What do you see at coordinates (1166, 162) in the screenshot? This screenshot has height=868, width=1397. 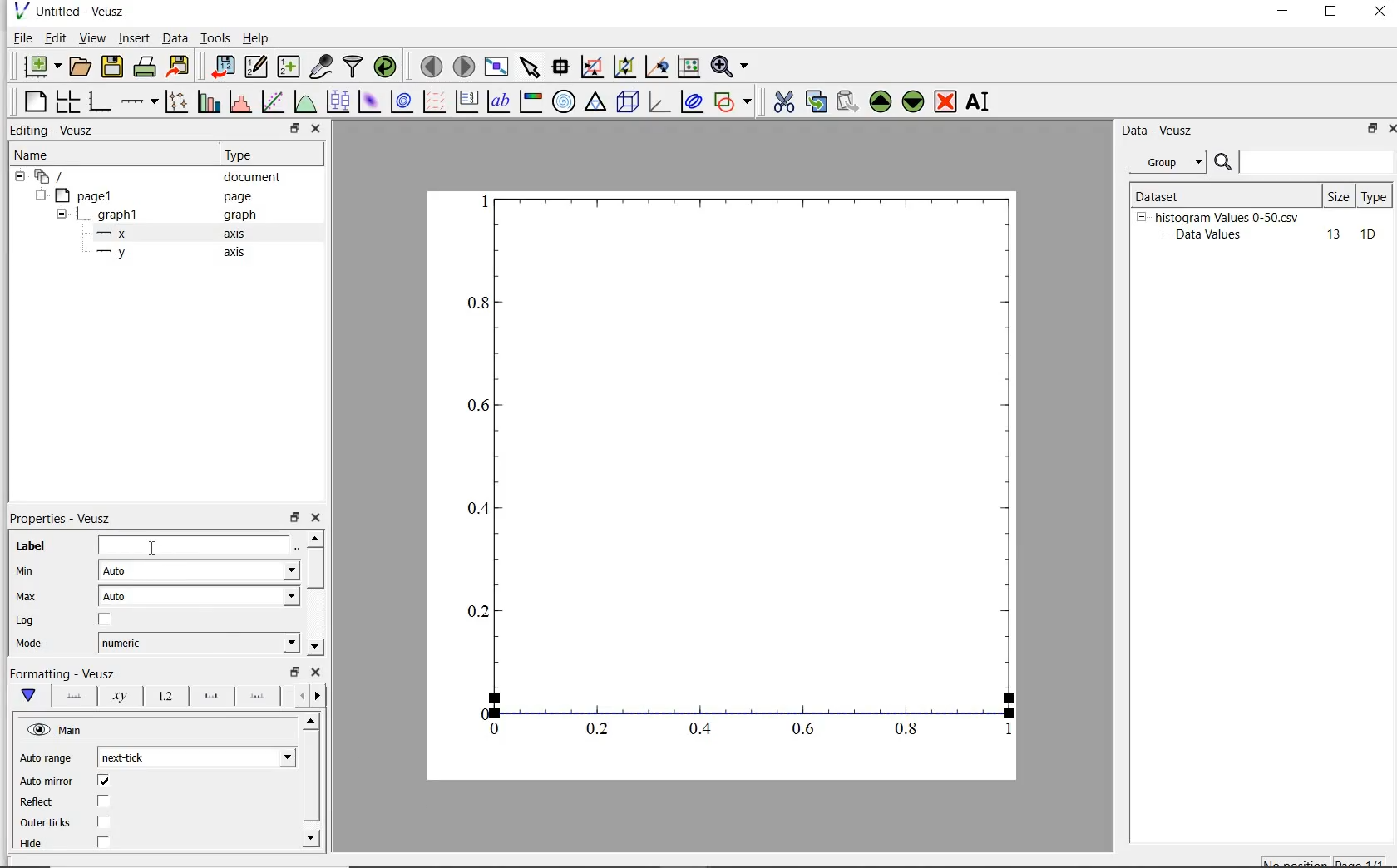 I see `group` at bounding box center [1166, 162].